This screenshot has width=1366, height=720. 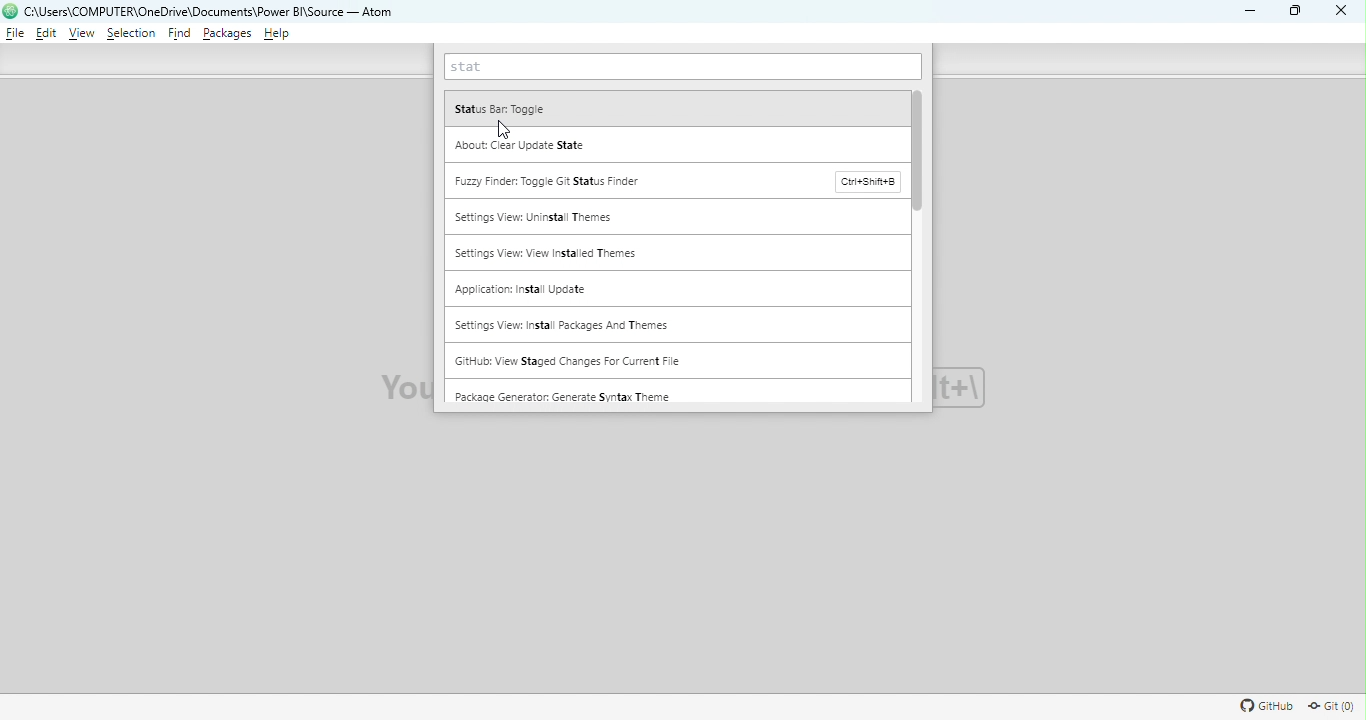 I want to click on Maximize, so click(x=1298, y=12).